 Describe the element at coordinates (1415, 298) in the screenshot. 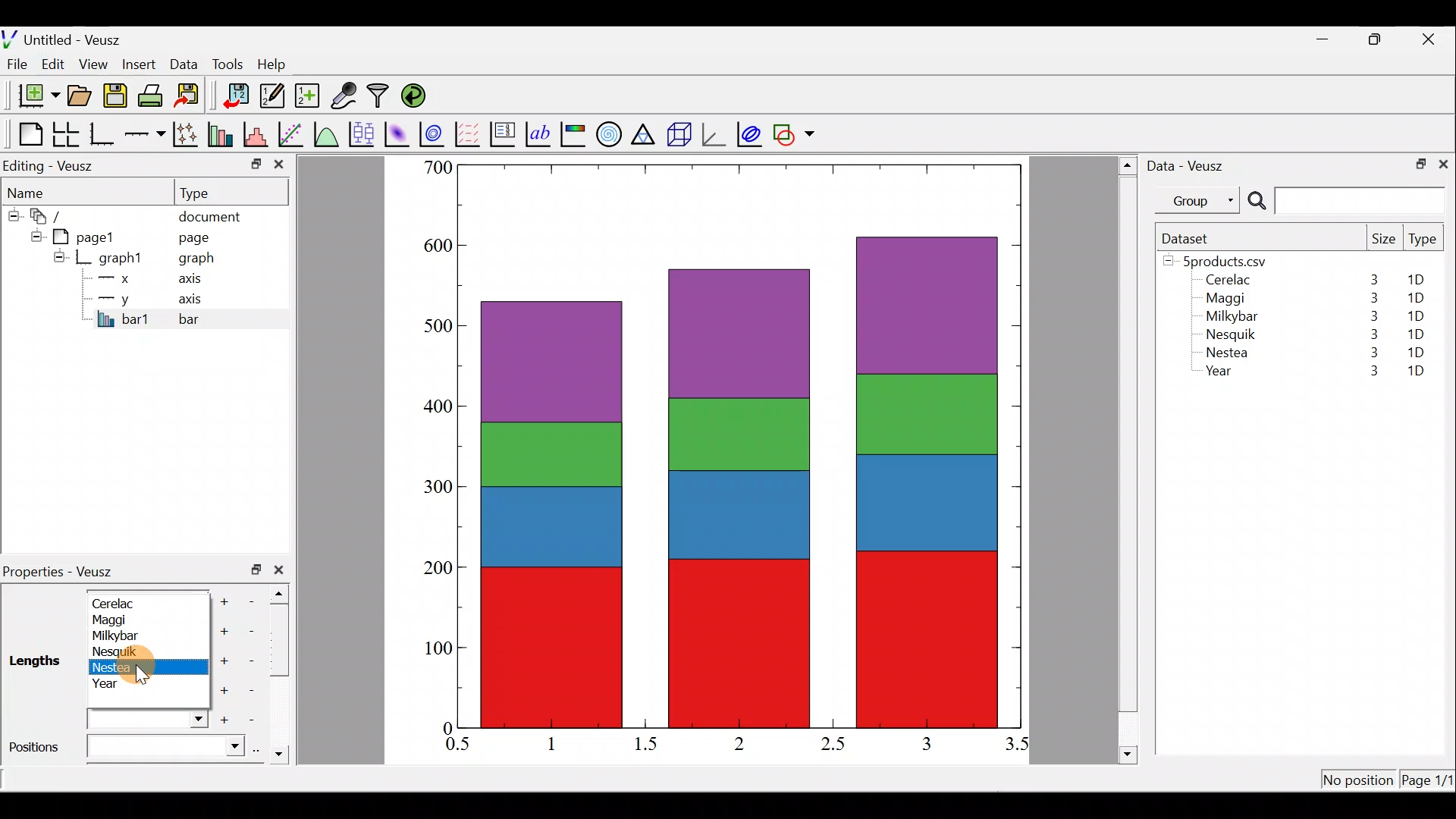

I see `1D` at that location.